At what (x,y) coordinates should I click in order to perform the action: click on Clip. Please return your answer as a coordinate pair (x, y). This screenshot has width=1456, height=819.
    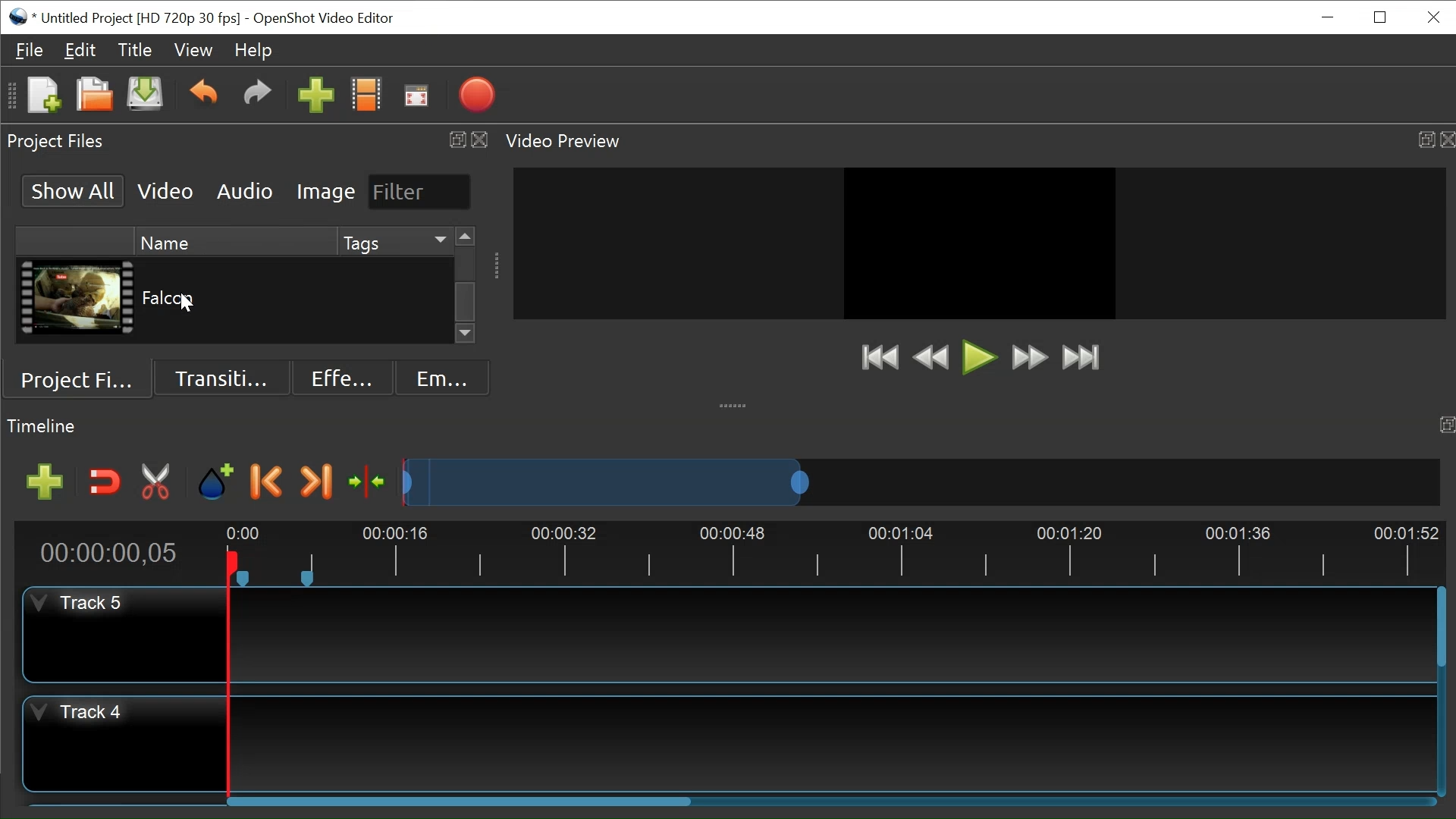
    Looking at the image, I should click on (76, 300).